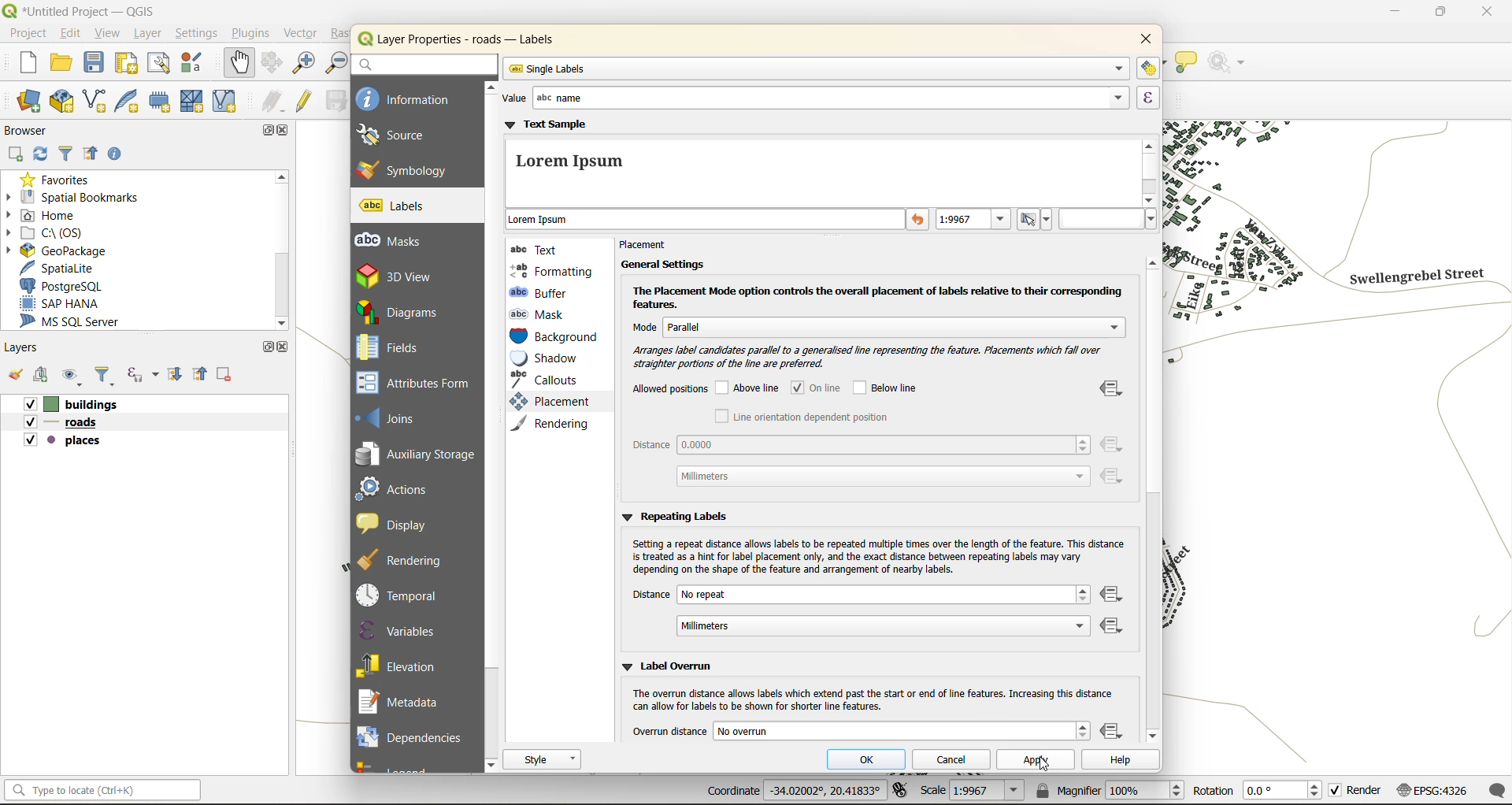  What do you see at coordinates (80, 10) in the screenshot?
I see `file name and app name` at bounding box center [80, 10].